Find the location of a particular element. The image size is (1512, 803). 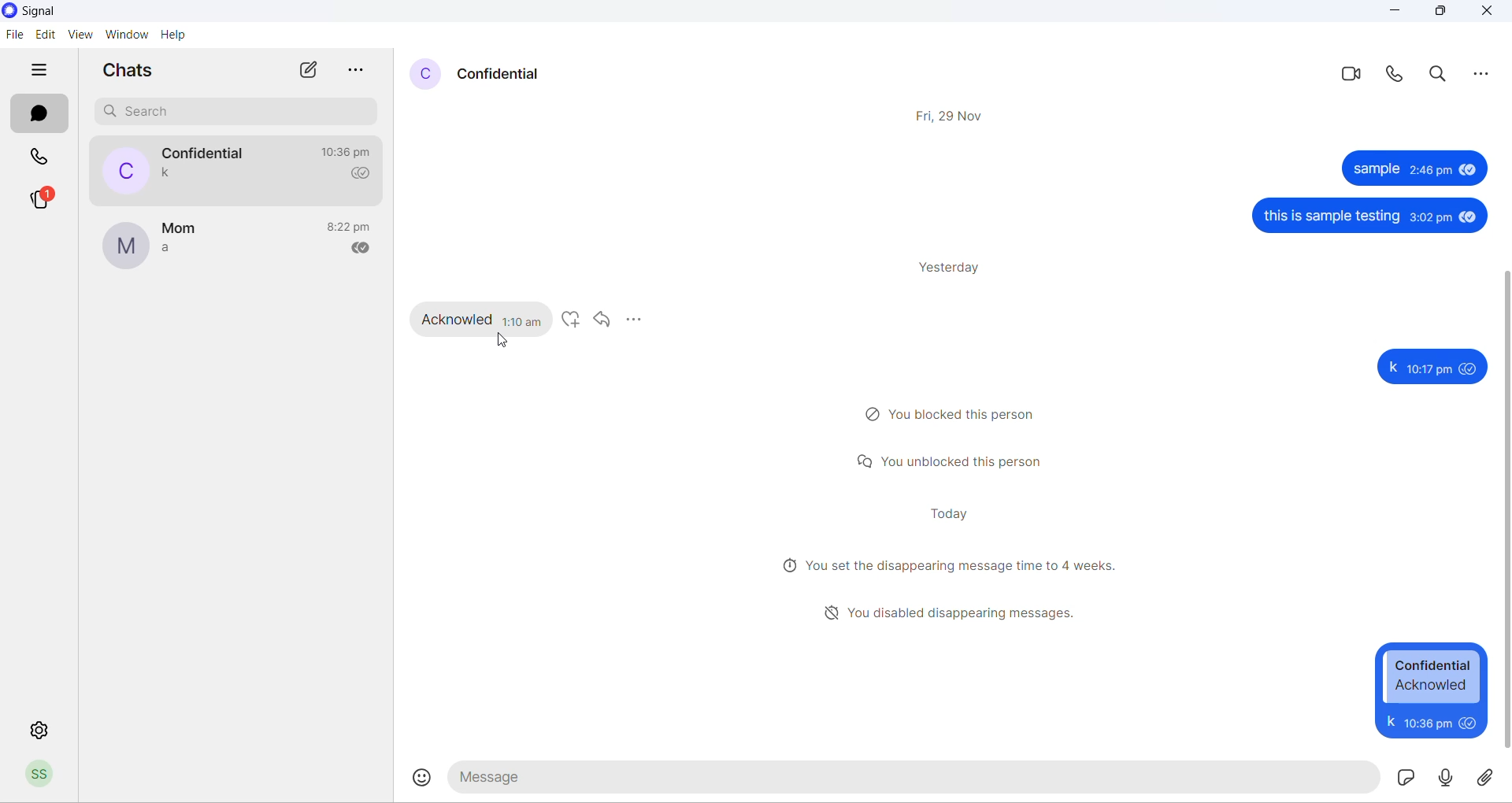

disappearing message notification is located at coordinates (951, 564).